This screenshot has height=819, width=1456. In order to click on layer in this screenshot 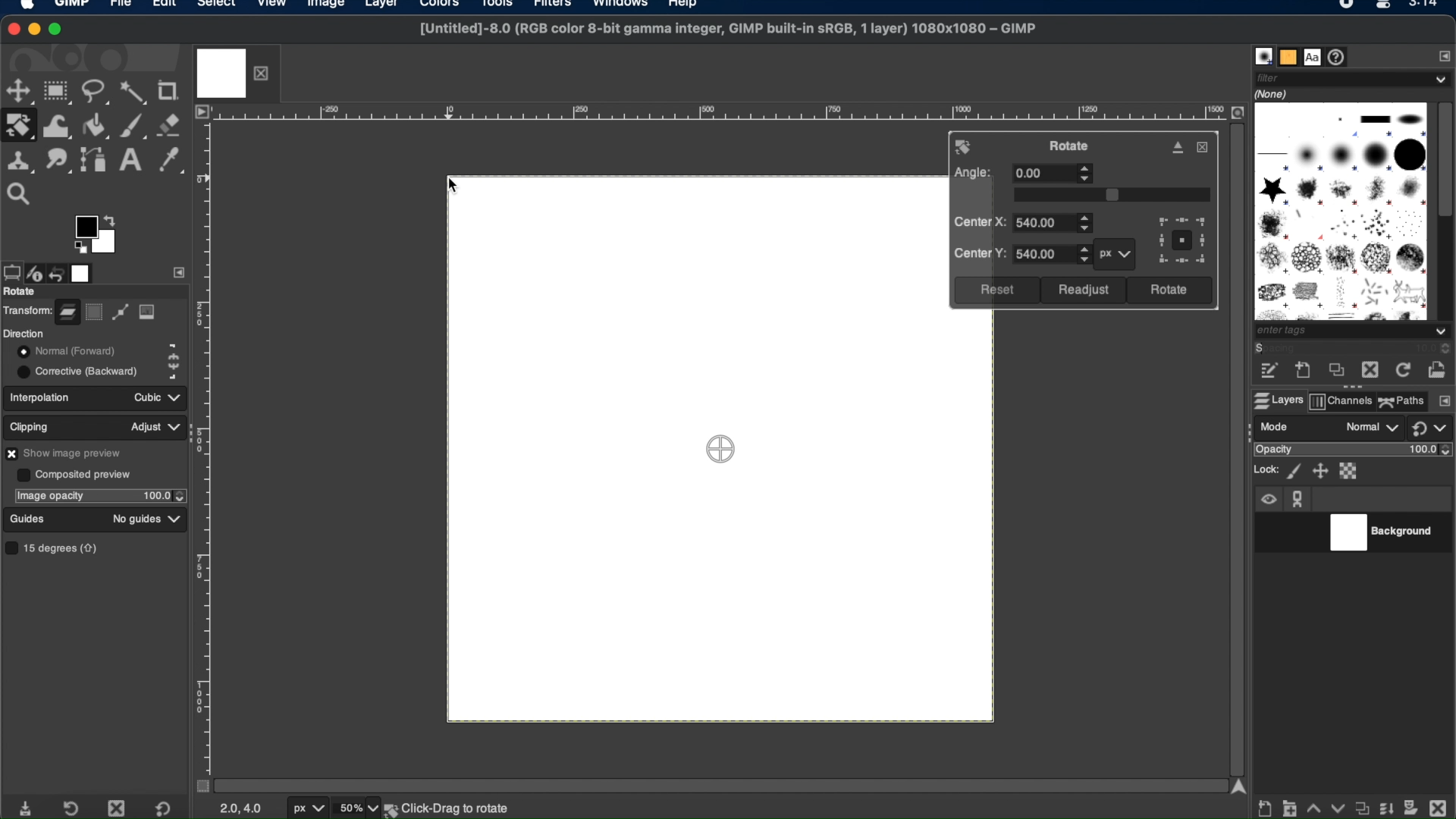, I will do `click(379, 6)`.